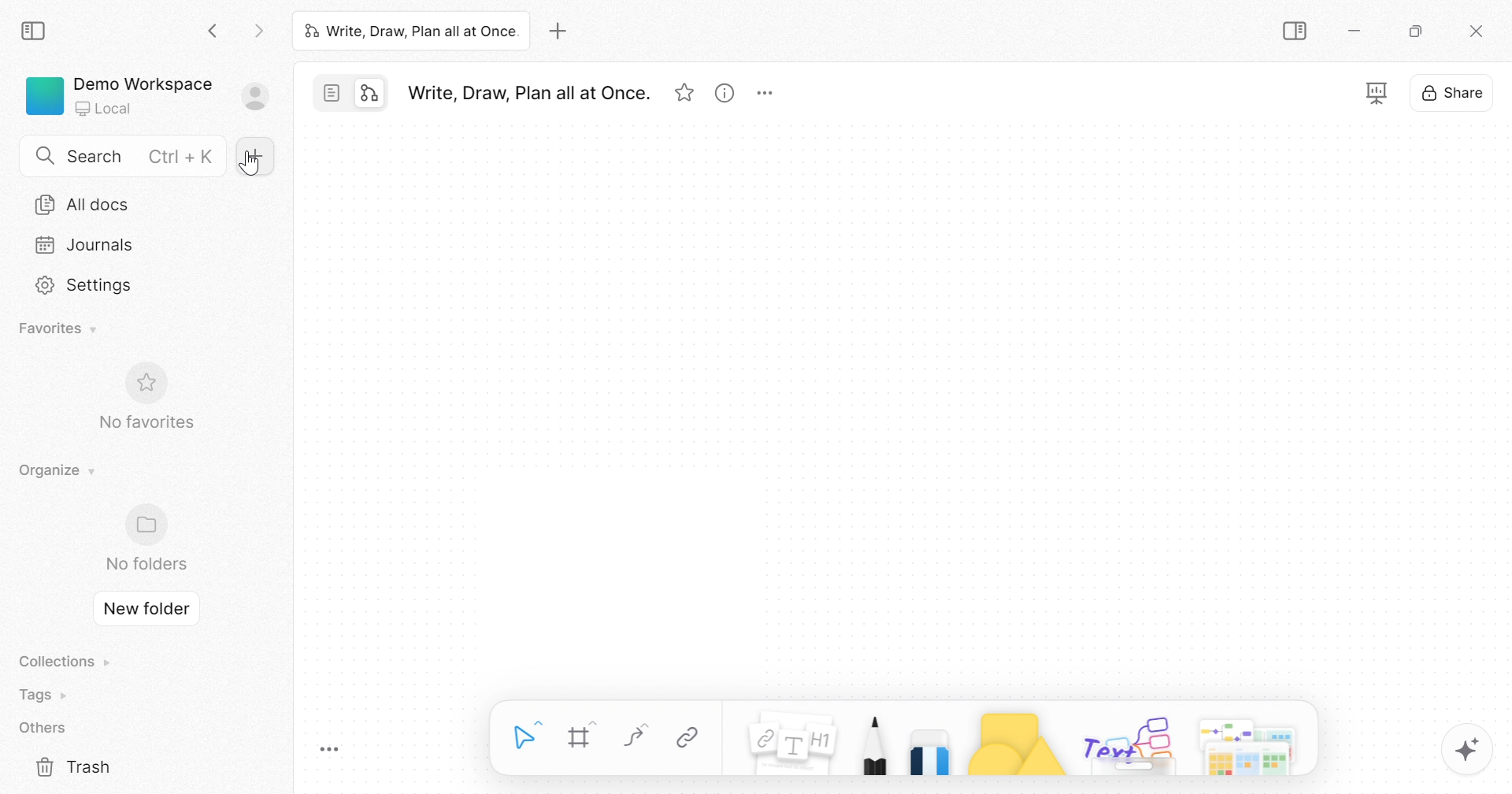  What do you see at coordinates (46, 695) in the screenshot?
I see `Tags` at bounding box center [46, 695].